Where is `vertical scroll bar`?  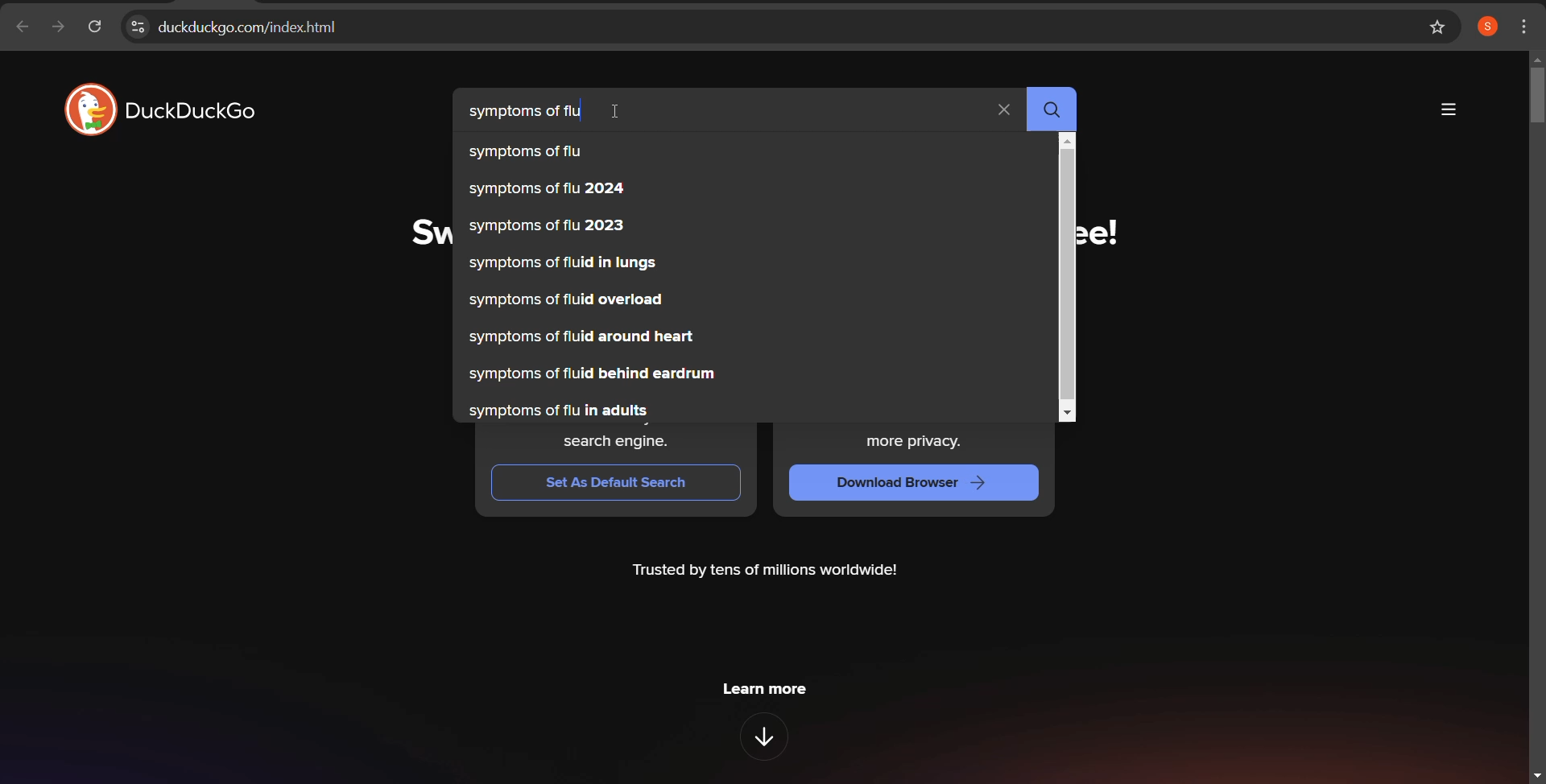
vertical scroll bar is located at coordinates (1065, 275).